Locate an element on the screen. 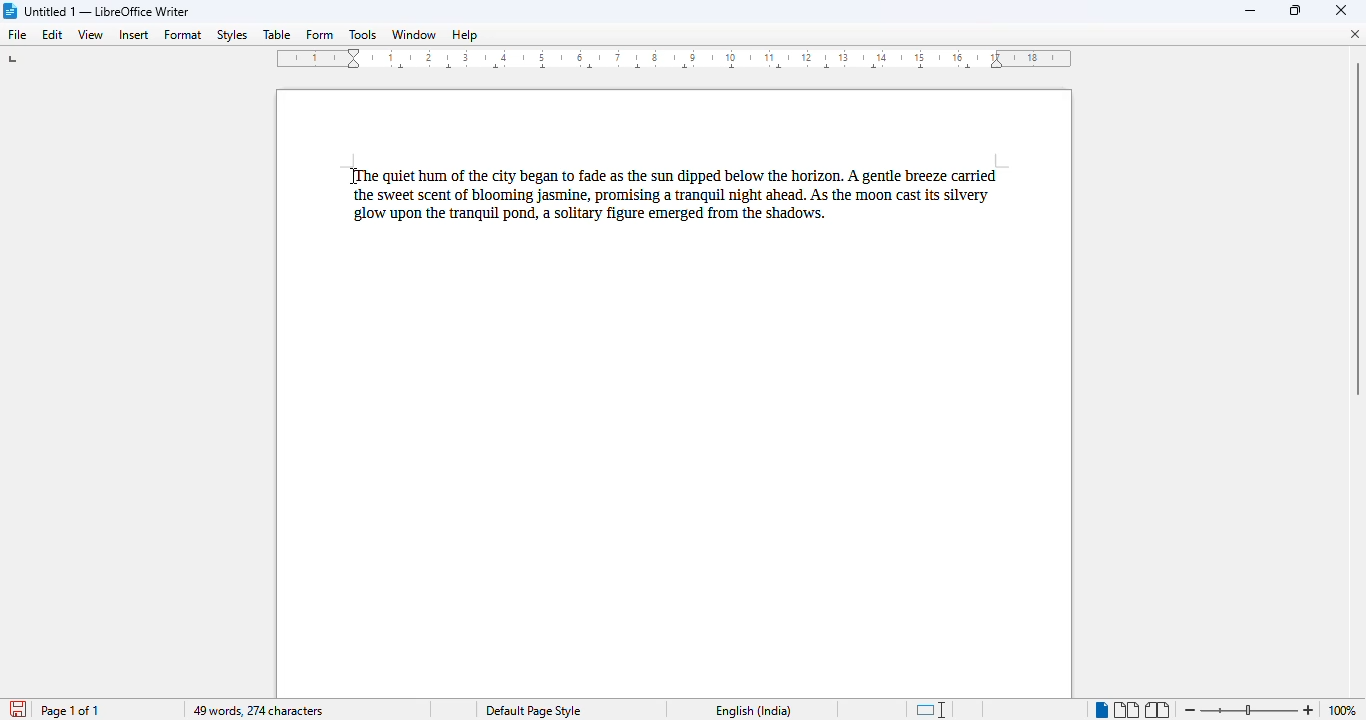 Image resolution: width=1366 pixels, height=720 pixels. right click is located at coordinates (355, 176).